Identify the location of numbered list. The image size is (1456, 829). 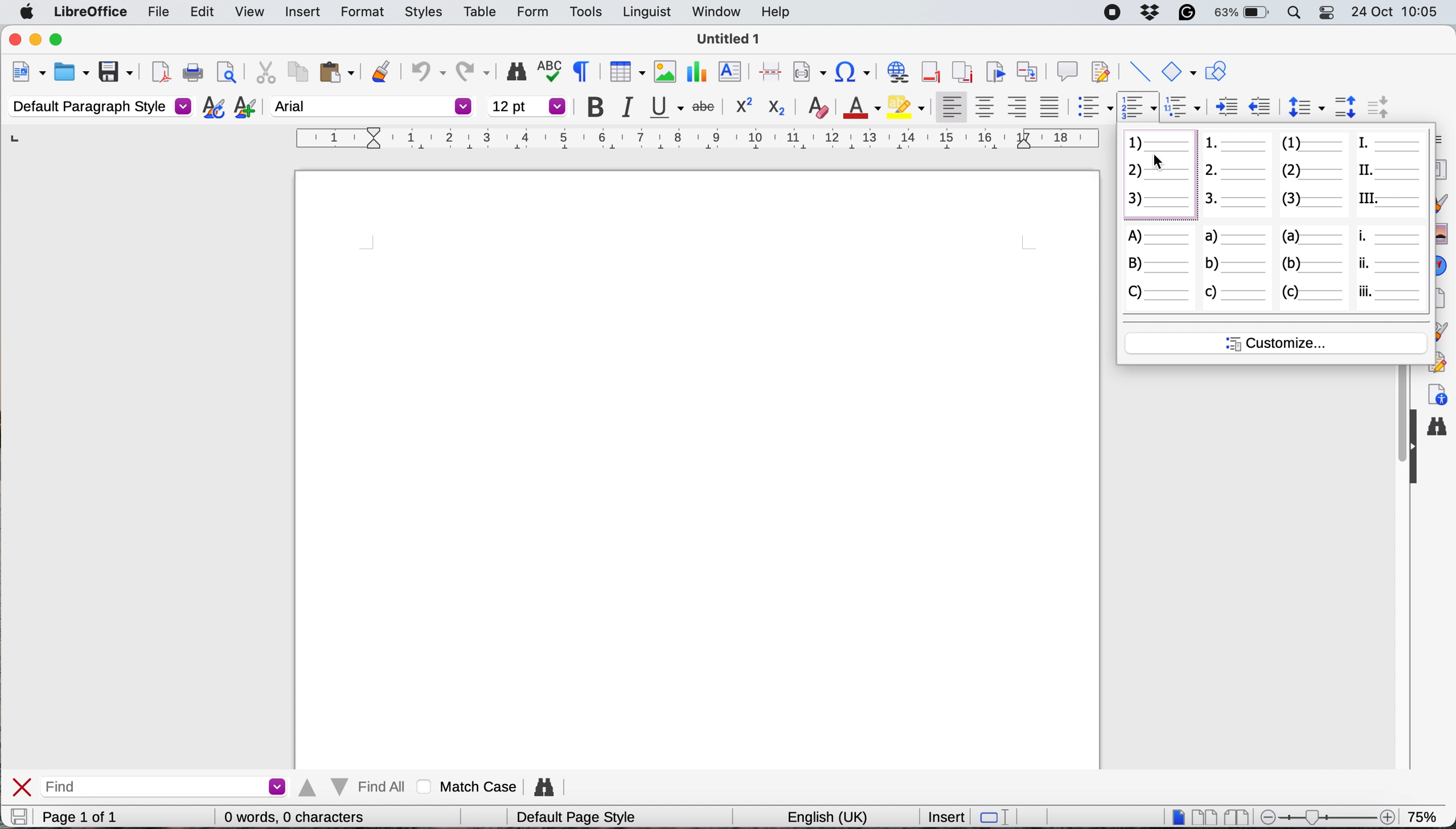
(1158, 177).